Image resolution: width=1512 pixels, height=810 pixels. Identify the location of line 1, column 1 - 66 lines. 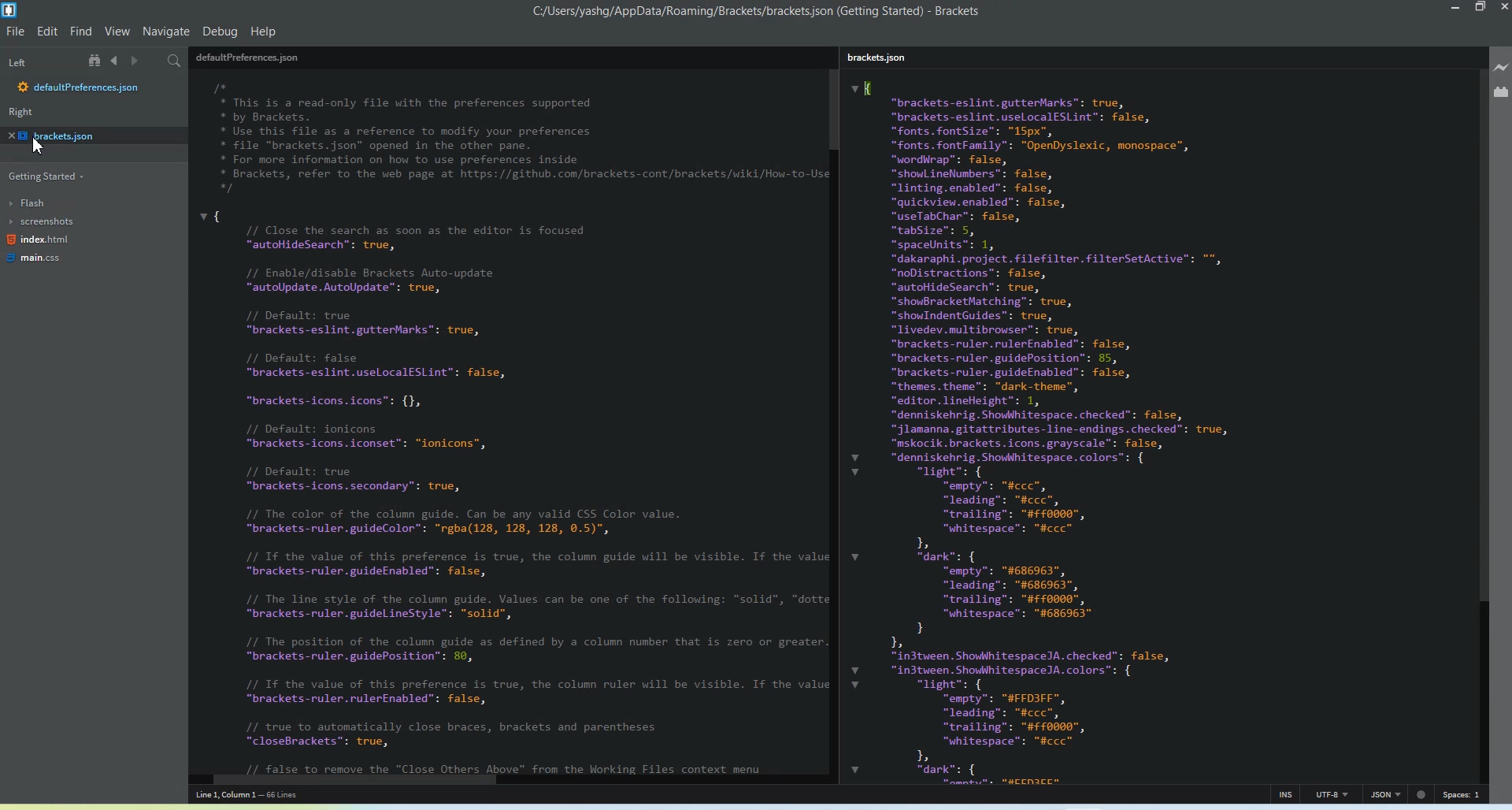
(265, 796).